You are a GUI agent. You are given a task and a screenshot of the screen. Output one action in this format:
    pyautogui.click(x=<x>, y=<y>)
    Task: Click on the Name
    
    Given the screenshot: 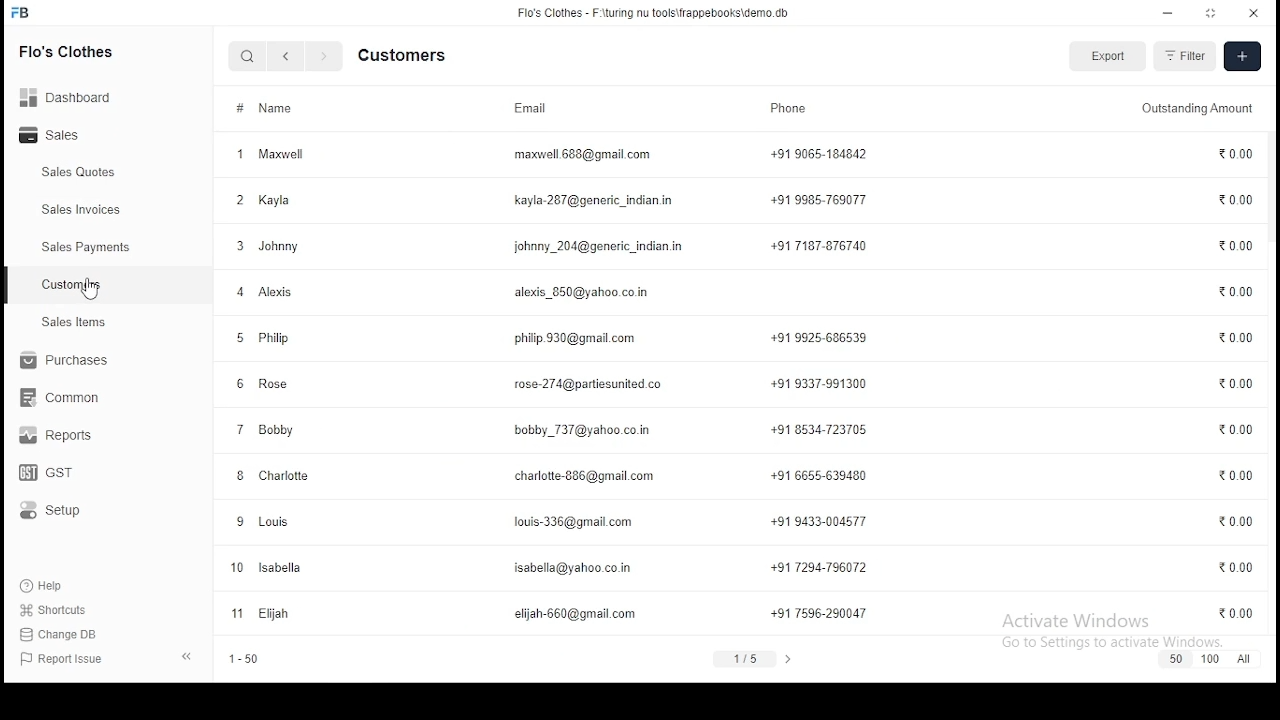 What is the action you would take?
    pyautogui.click(x=275, y=108)
    